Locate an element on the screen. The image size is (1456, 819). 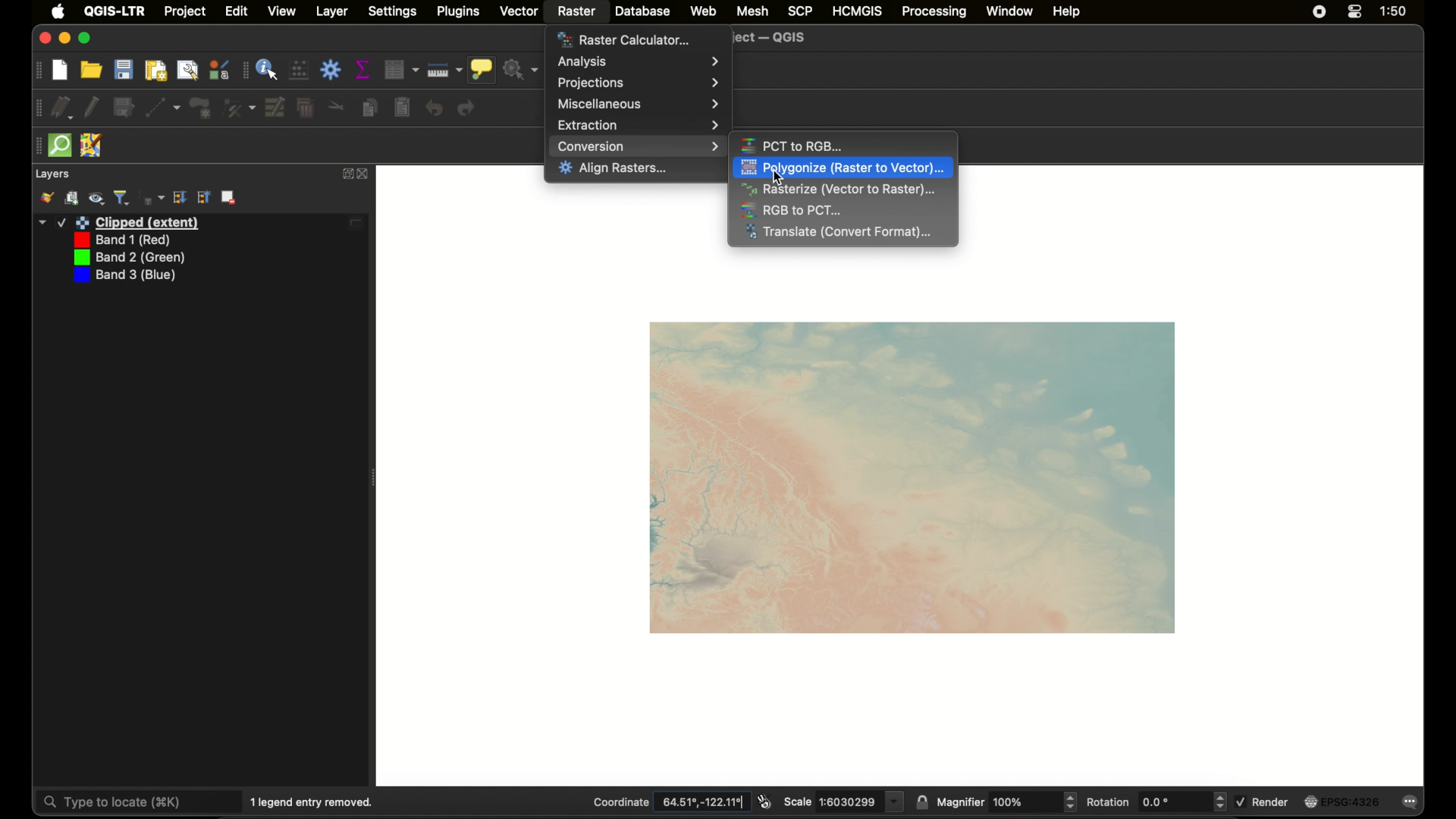
band 3 is located at coordinates (124, 276).